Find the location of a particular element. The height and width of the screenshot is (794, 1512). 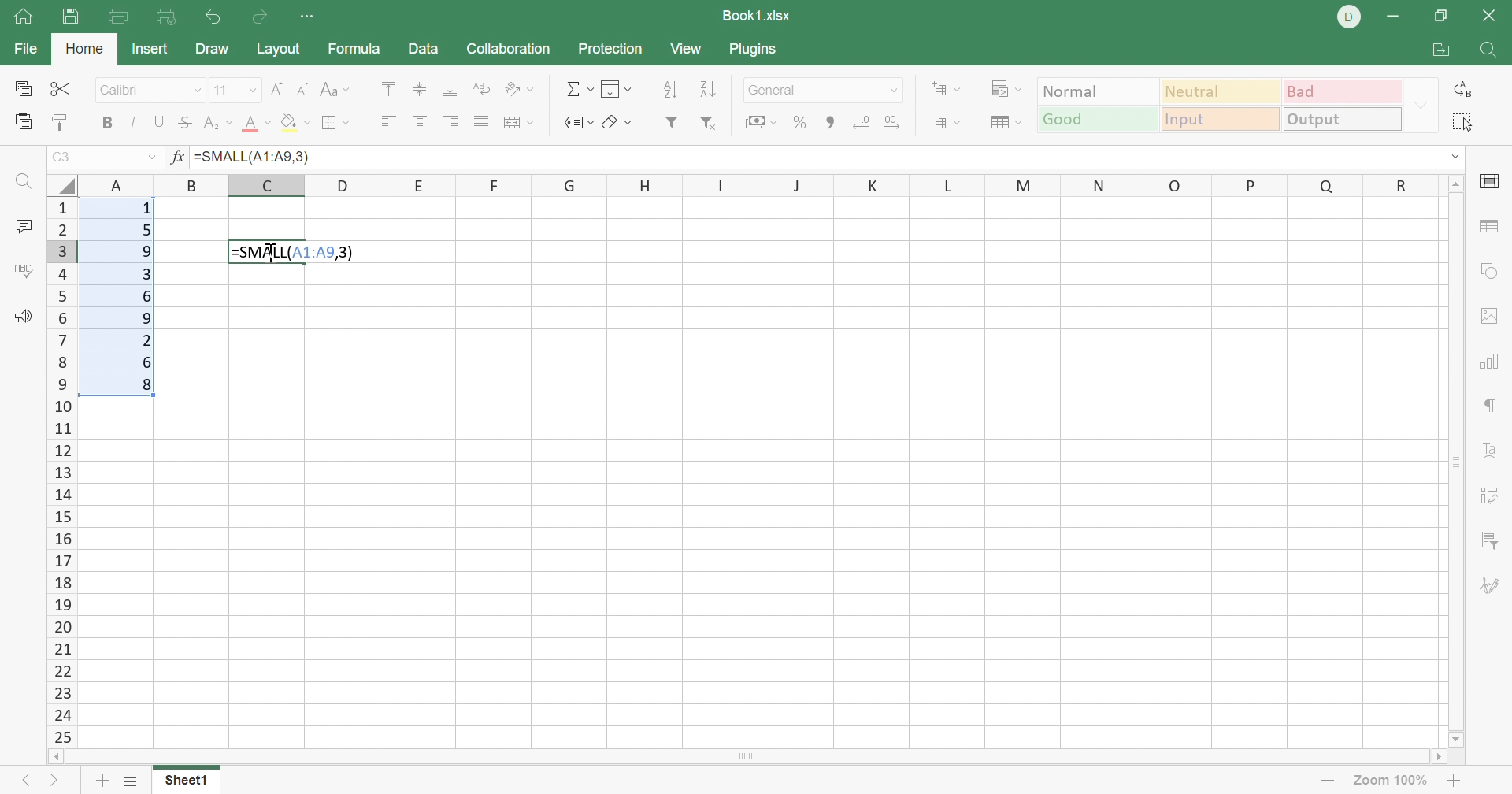

Sort descending is located at coordinates (669, 90).